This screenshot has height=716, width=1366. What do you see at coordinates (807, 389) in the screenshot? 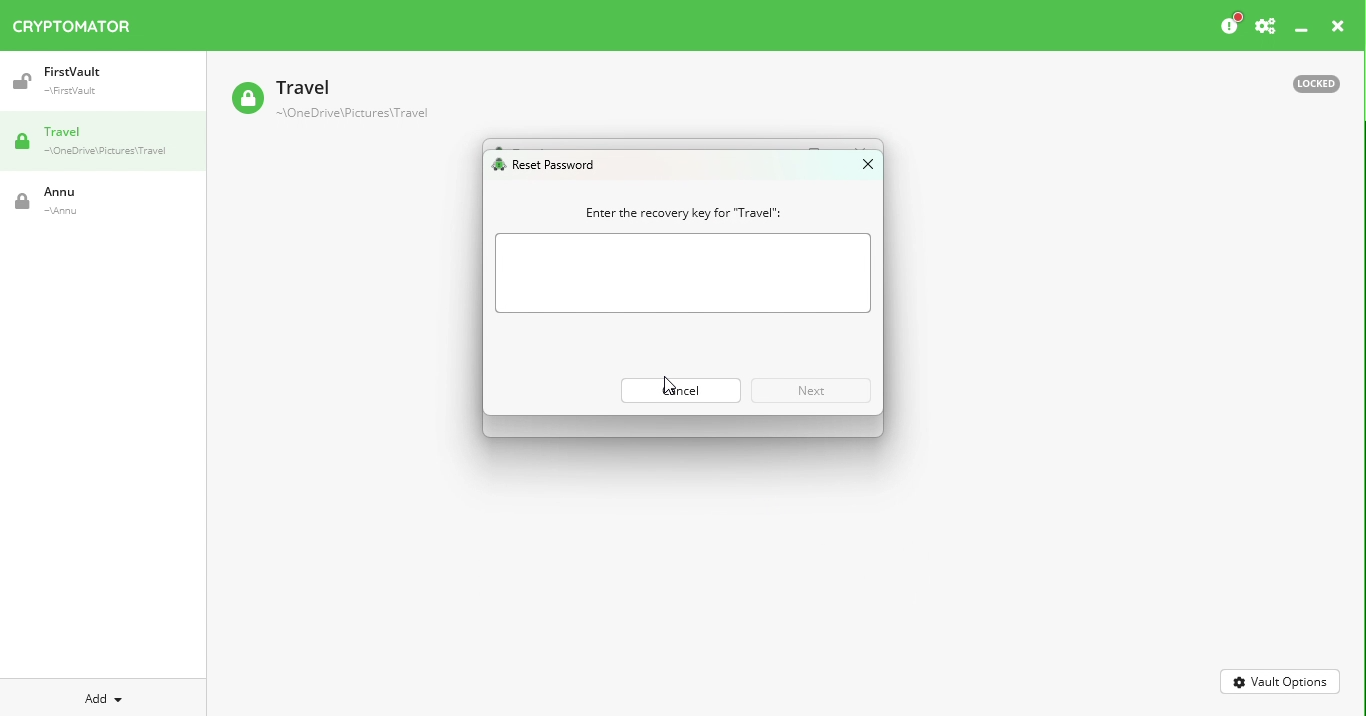
I see `Next` at bounding box center [807, 389].